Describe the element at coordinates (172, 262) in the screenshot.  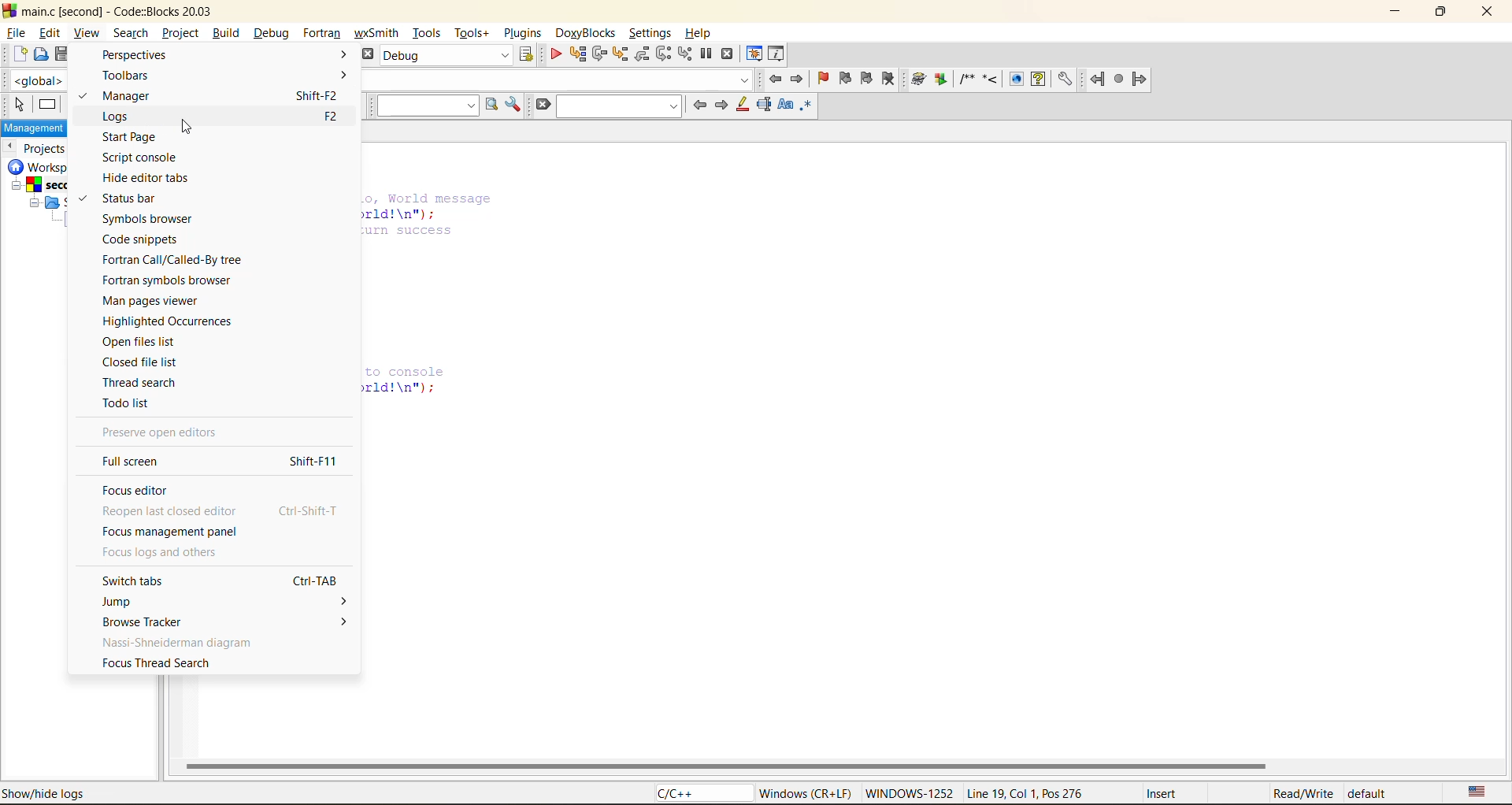
I see `fortran call` at that location.